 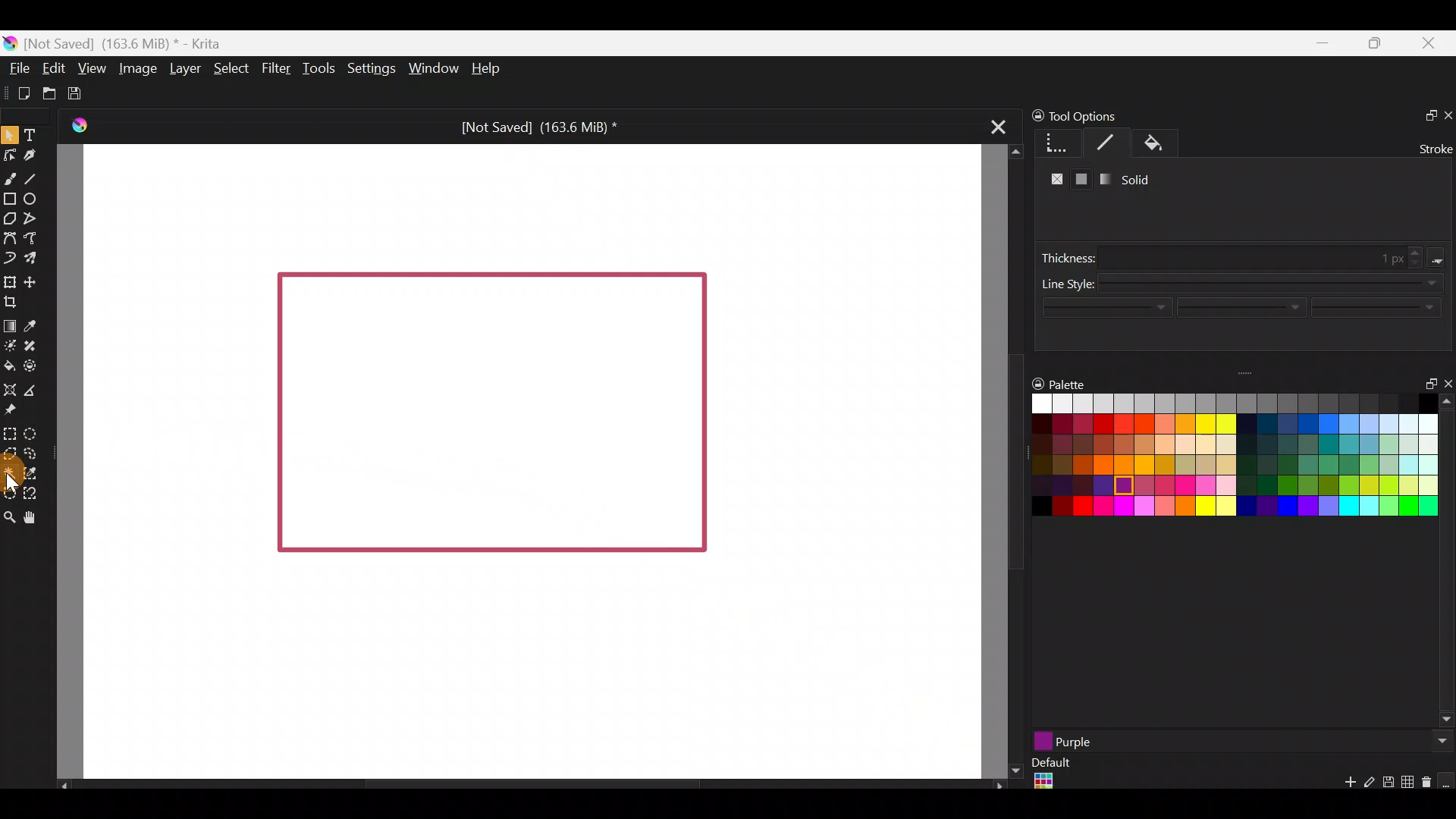 I want to click on Transform a layer/selection, so click(x=9, y=280).